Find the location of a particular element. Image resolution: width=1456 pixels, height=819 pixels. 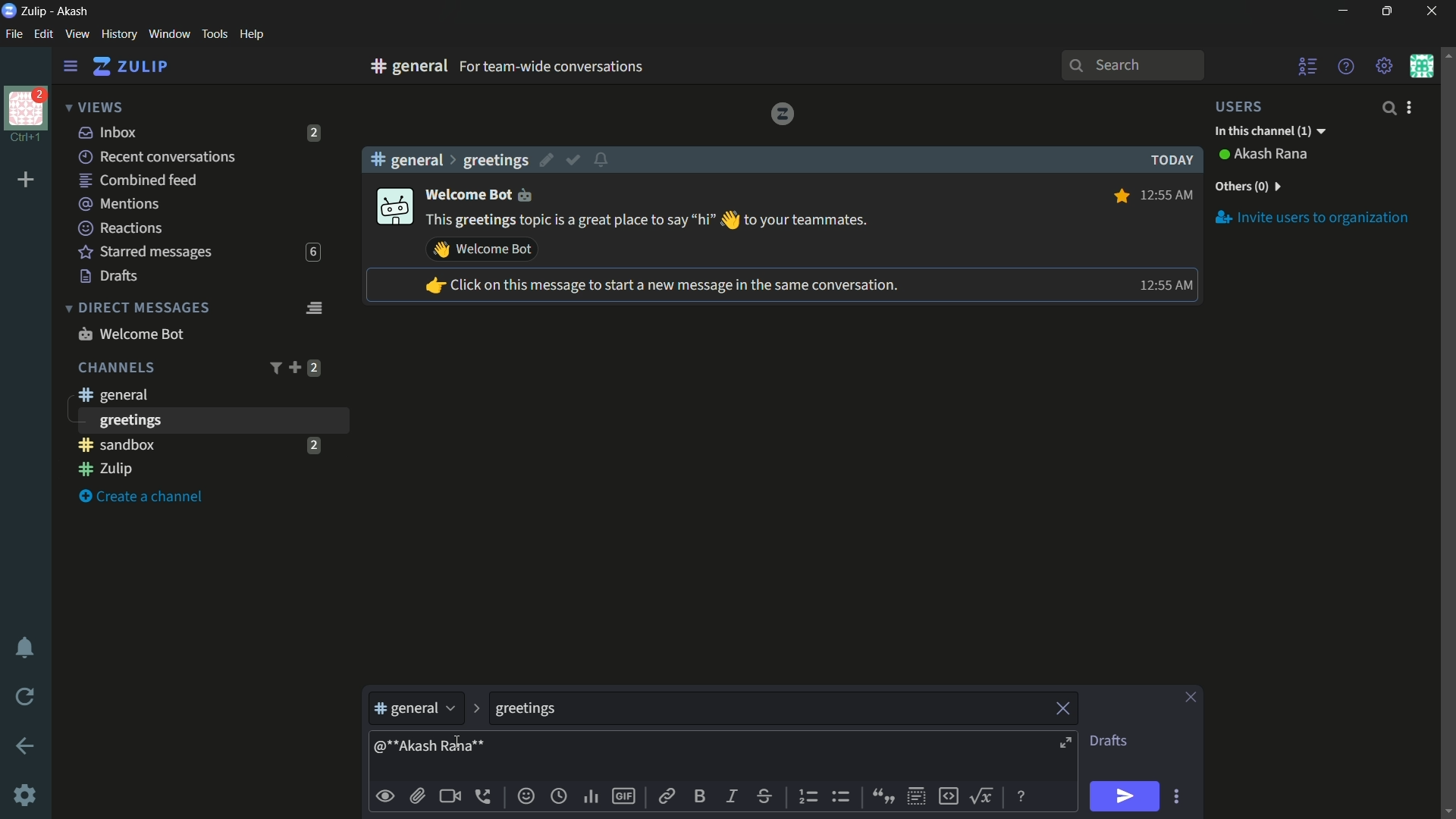

12: 55 AM is located at coordinates (1169, 193).